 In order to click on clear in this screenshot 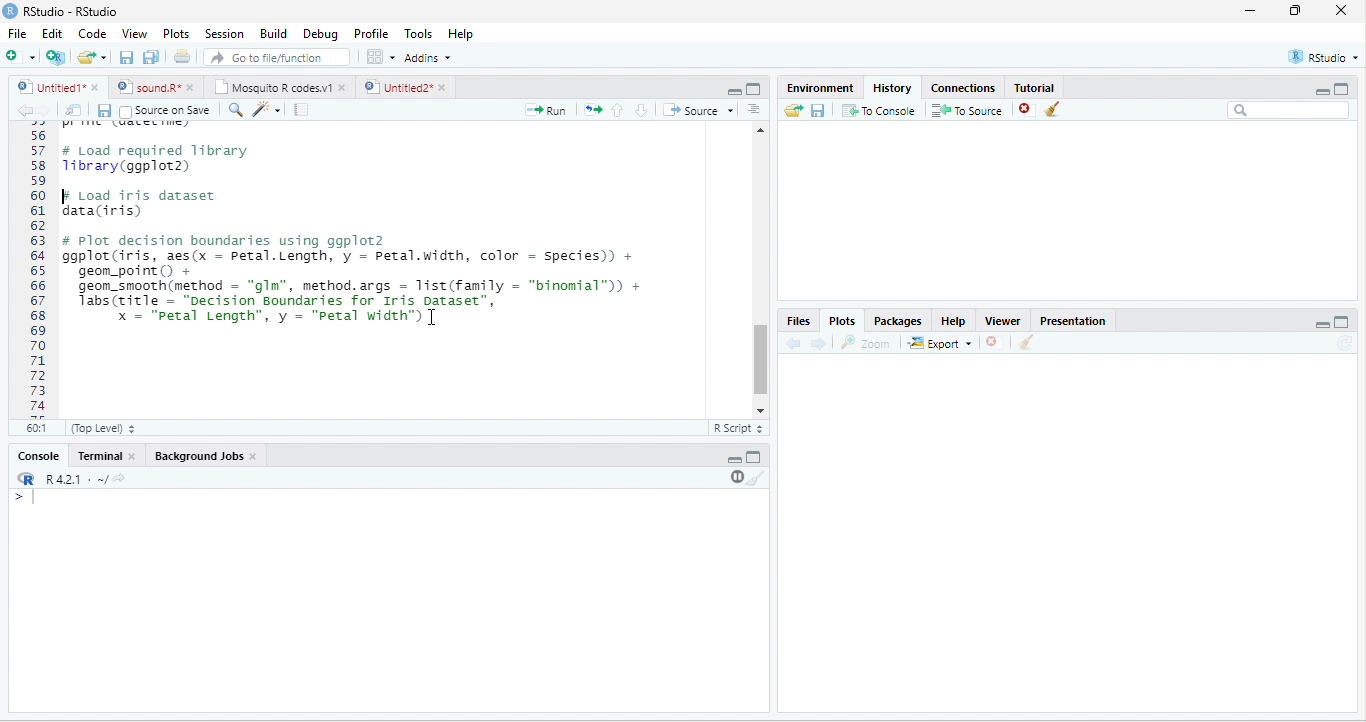, I will do `click(757, 478)`.